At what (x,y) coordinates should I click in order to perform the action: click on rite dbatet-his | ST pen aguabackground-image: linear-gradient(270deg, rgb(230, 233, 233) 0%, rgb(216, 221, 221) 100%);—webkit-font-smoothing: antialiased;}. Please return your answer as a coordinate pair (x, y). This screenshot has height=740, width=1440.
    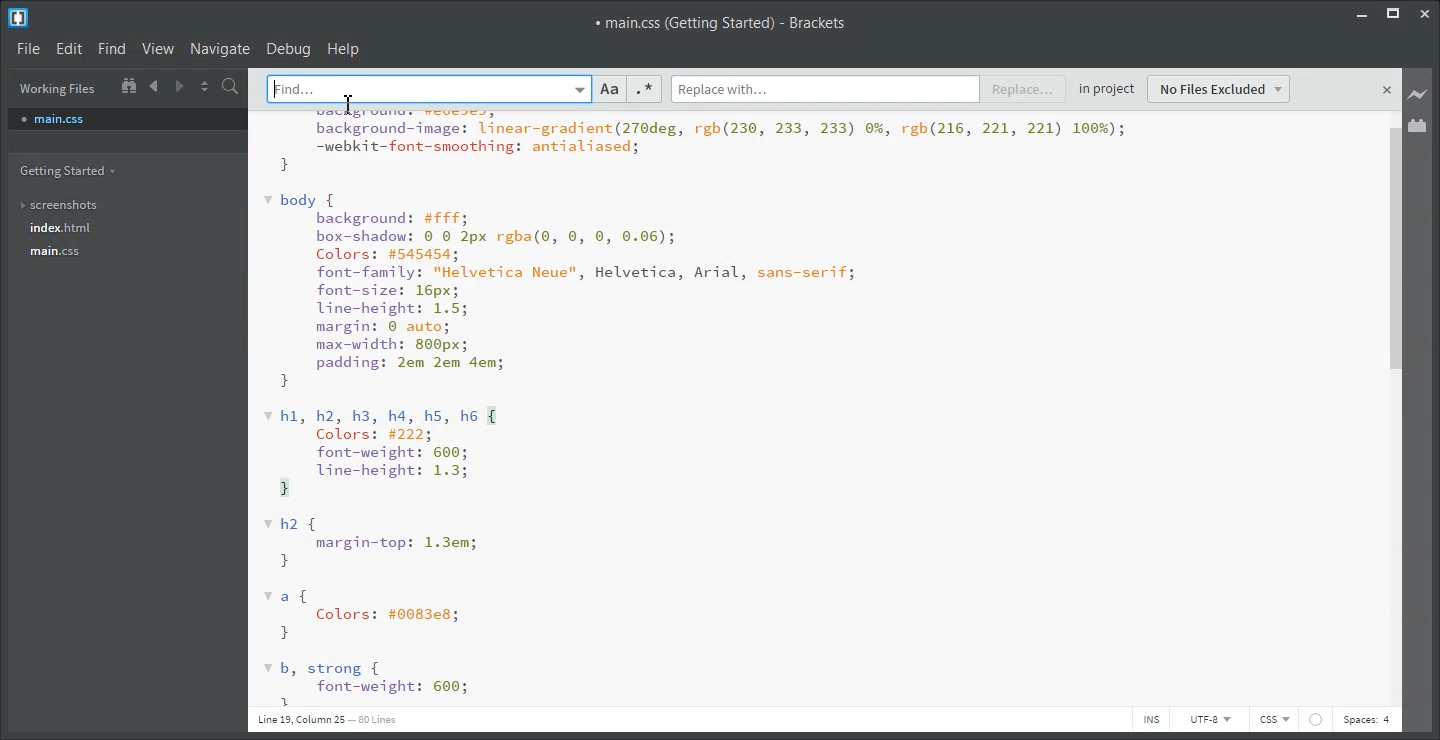
    Looking at the image, I should click on (694, 143).